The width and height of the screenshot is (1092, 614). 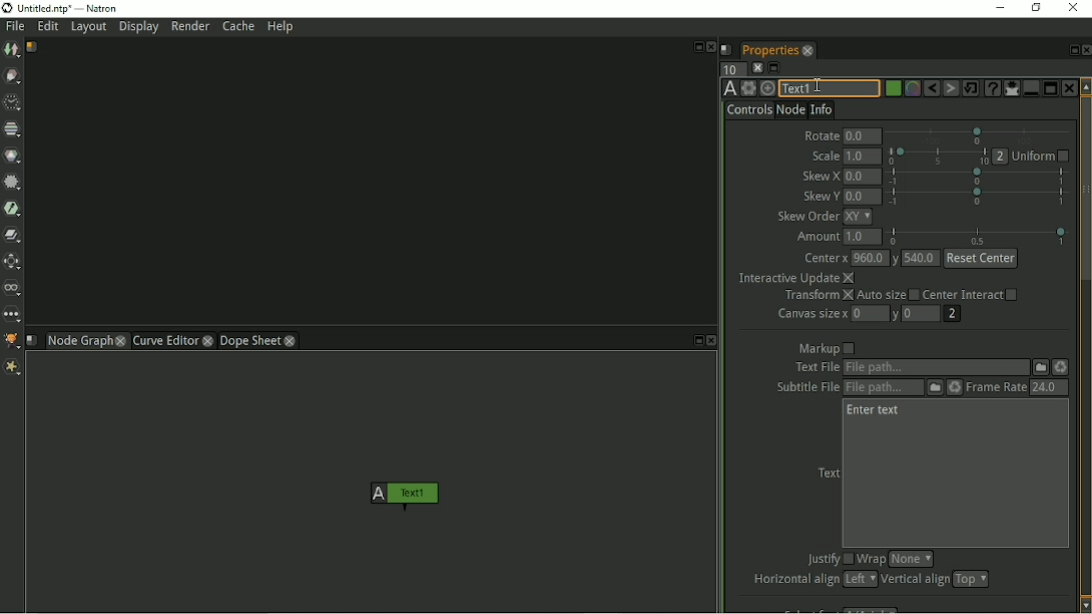 I want to click on Display, so click(x=140, y=28).